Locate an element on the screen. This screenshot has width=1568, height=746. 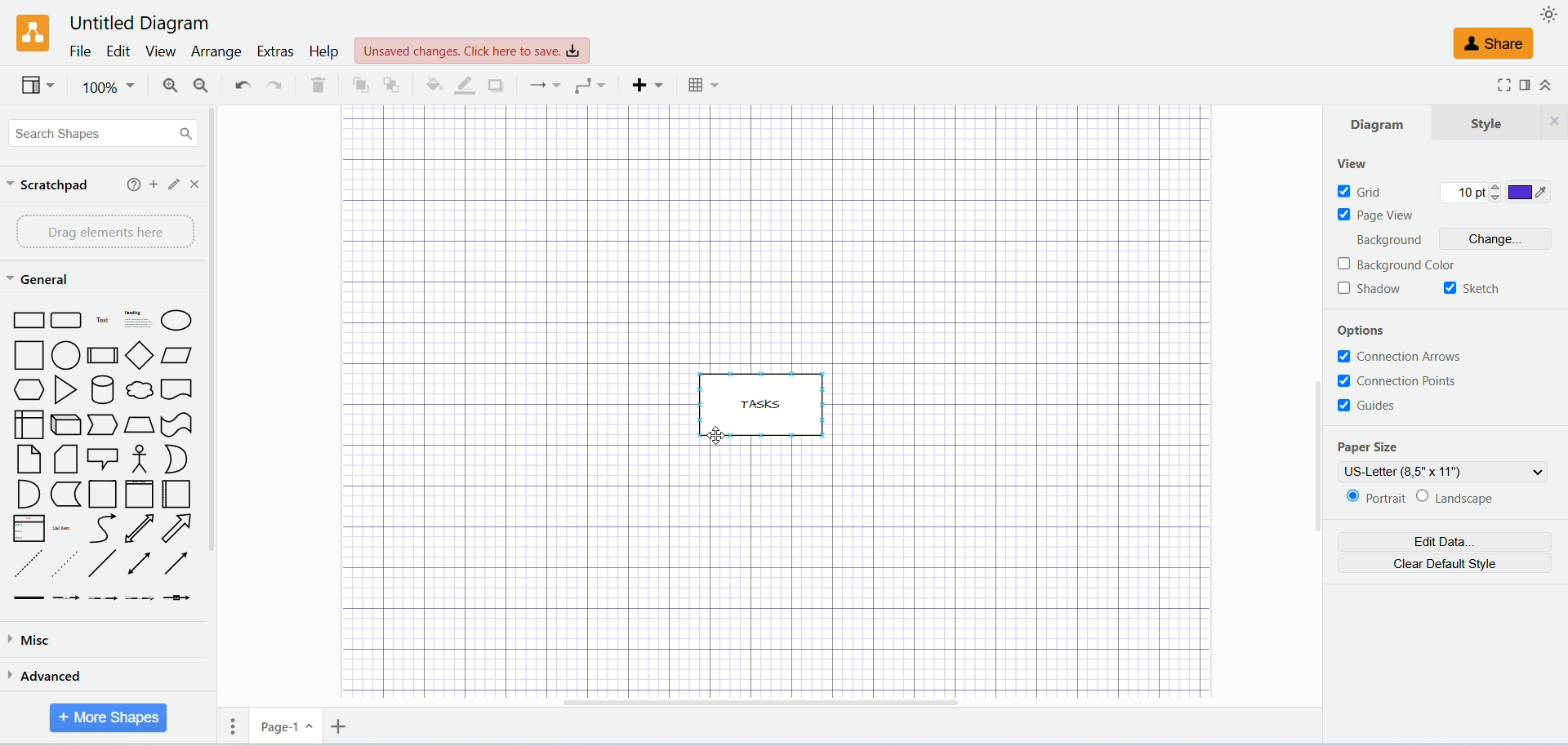
insert page is located at coordinates (337, 726).